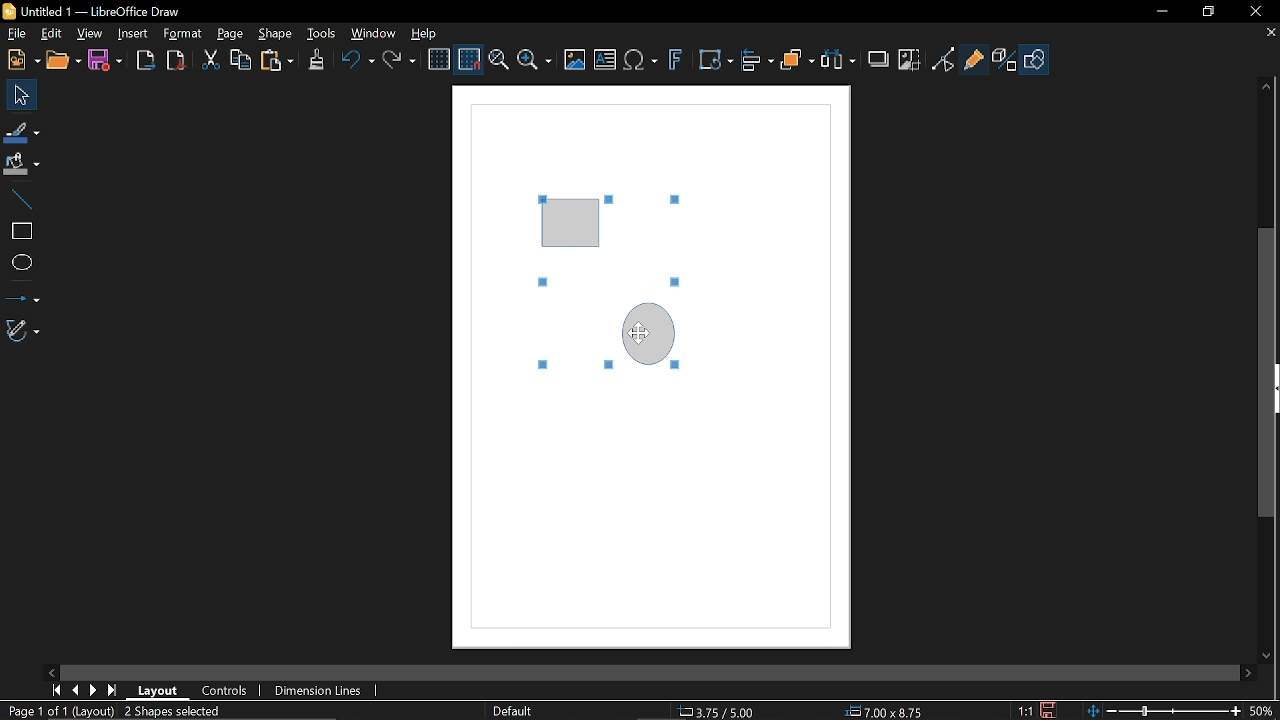 This screenshot has width=1280, height=720. Describe the element at coordinates (277, 61) in the screenshot. I see `Paste` at that location.